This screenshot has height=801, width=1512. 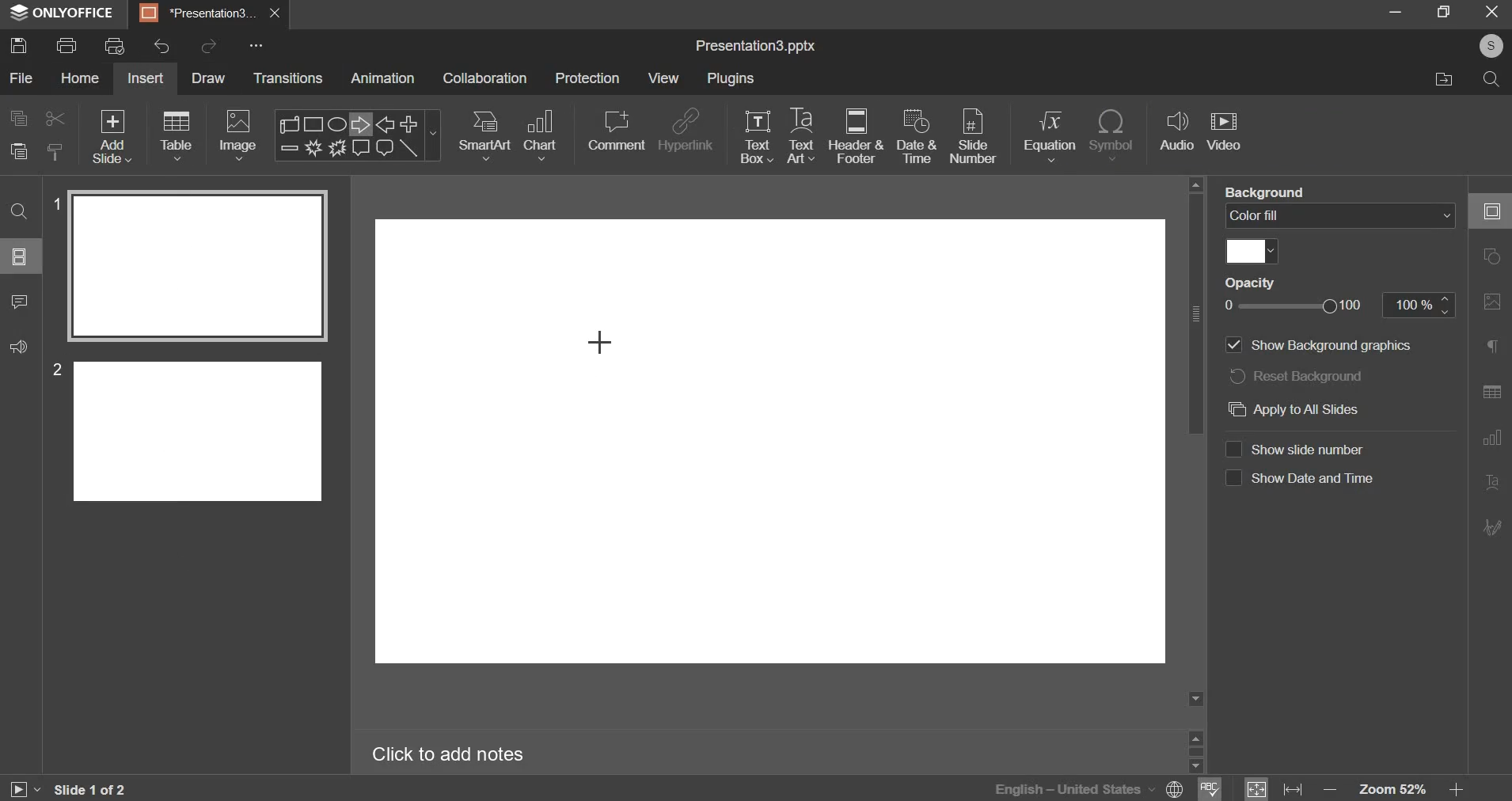 What do you see at coordinates (616, 131) in the screenshot?
I see `comment` at bounding box center [616, 131].